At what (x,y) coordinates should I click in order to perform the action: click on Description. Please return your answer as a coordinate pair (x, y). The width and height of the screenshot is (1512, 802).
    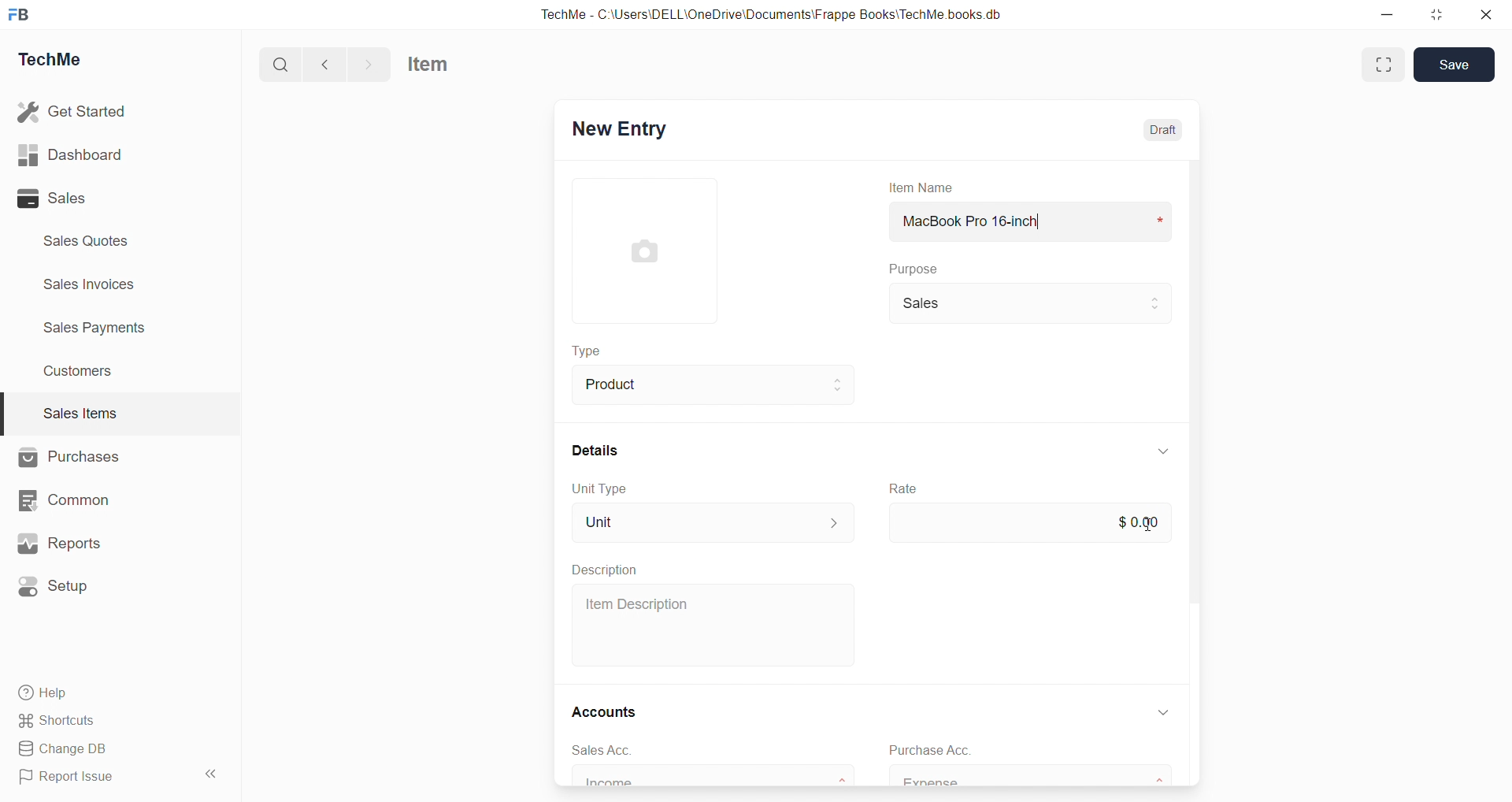
    Looking at the image, I should click on (608, 570).